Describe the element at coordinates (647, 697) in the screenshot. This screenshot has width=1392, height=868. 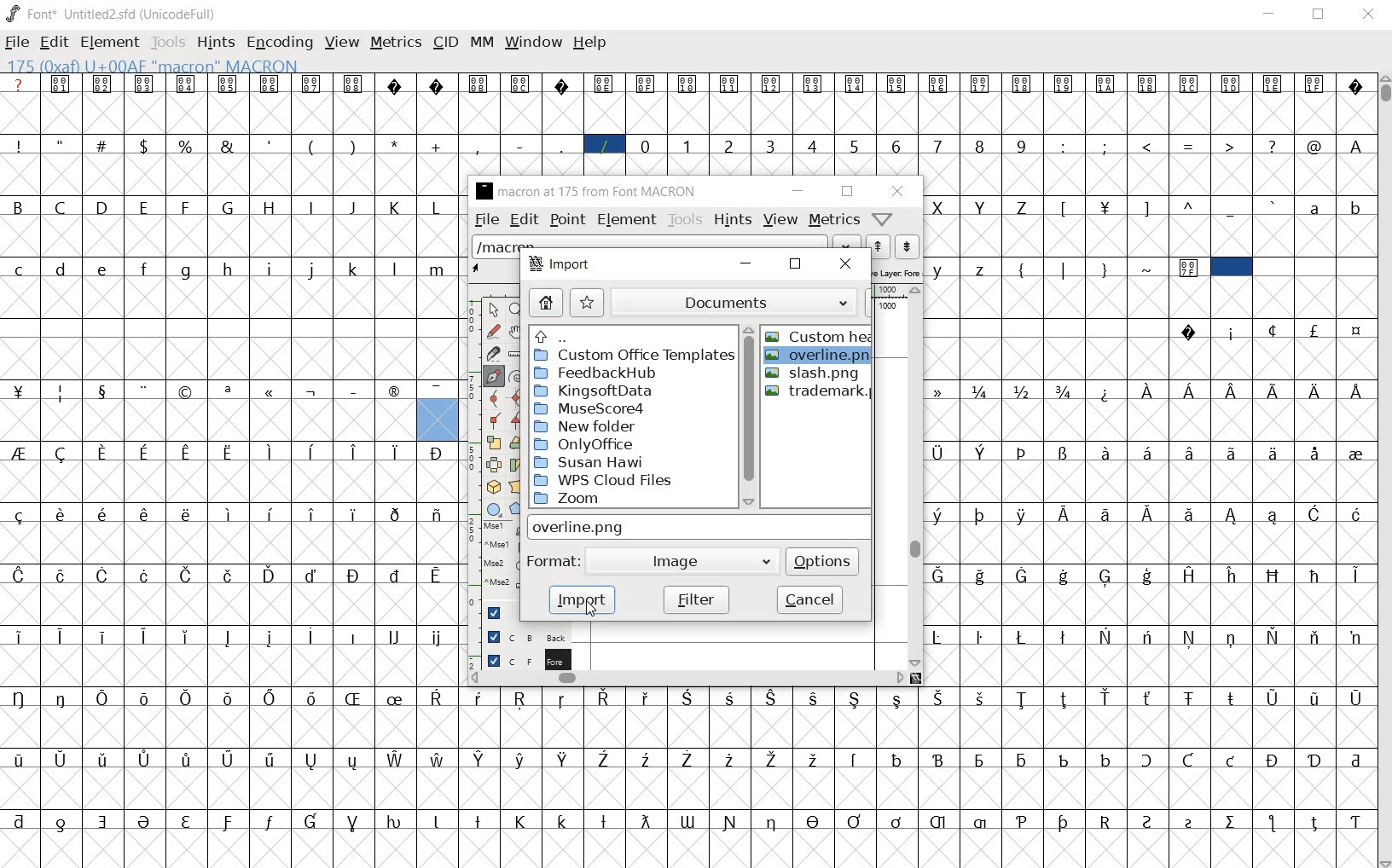
I see `Symbol` at that location.